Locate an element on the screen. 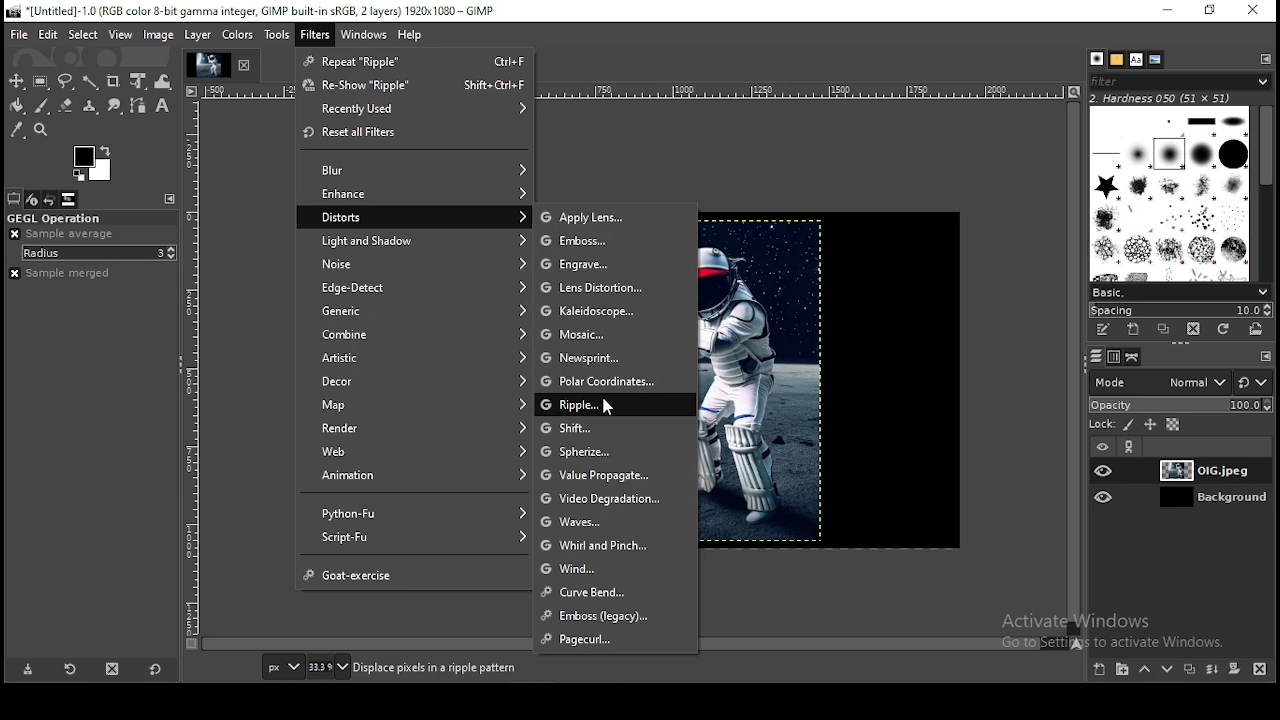 The height and width of the screenshot is (720, 1280). text tool is located at coordinates (162, 106).